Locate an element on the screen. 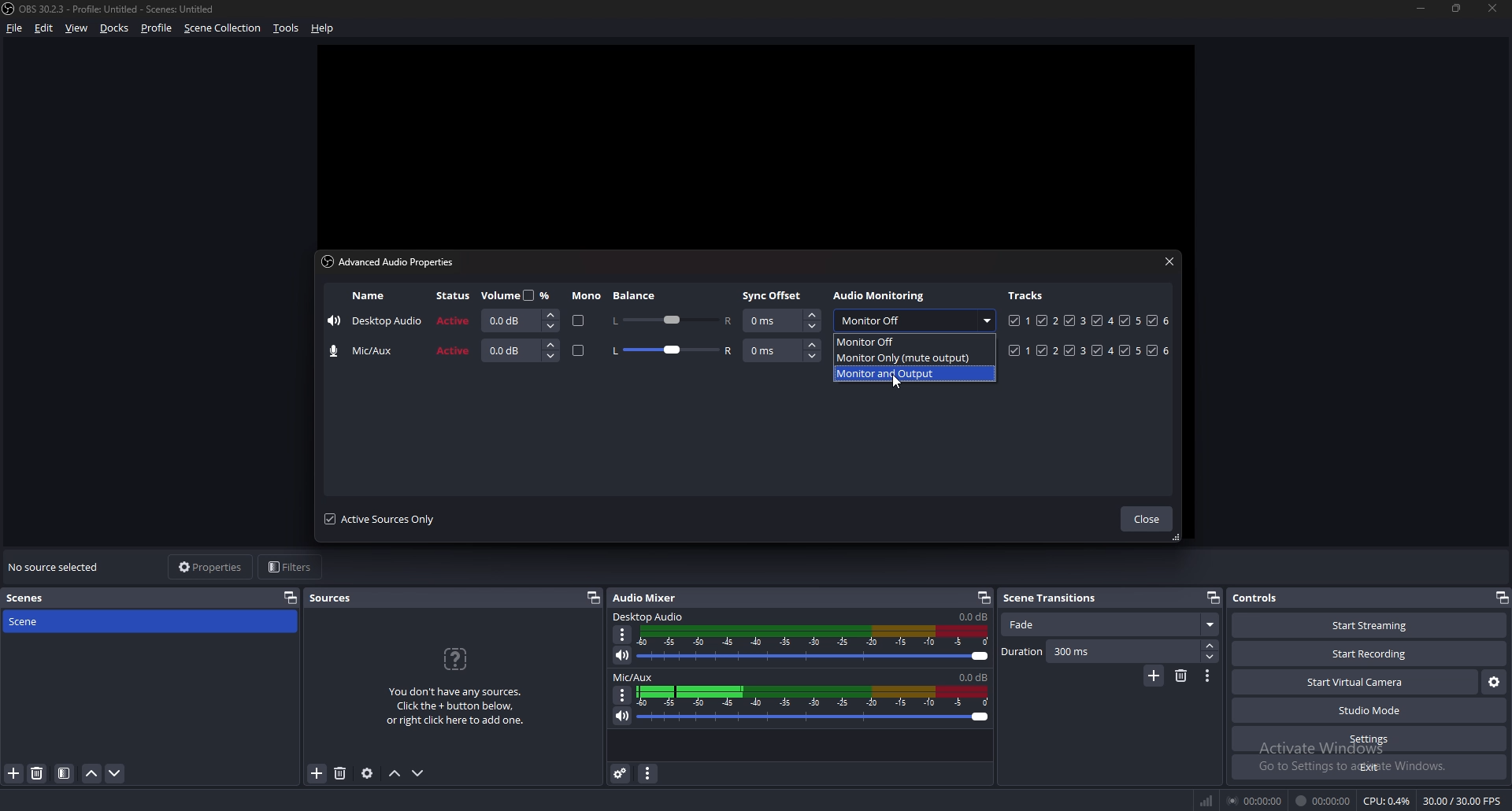 Image resolution: width=1512 pixels, height=811 pixels. ObS 30.2.3 - Profile: Untitled - Scenes: Untitled is located at coordinates (124, 6).